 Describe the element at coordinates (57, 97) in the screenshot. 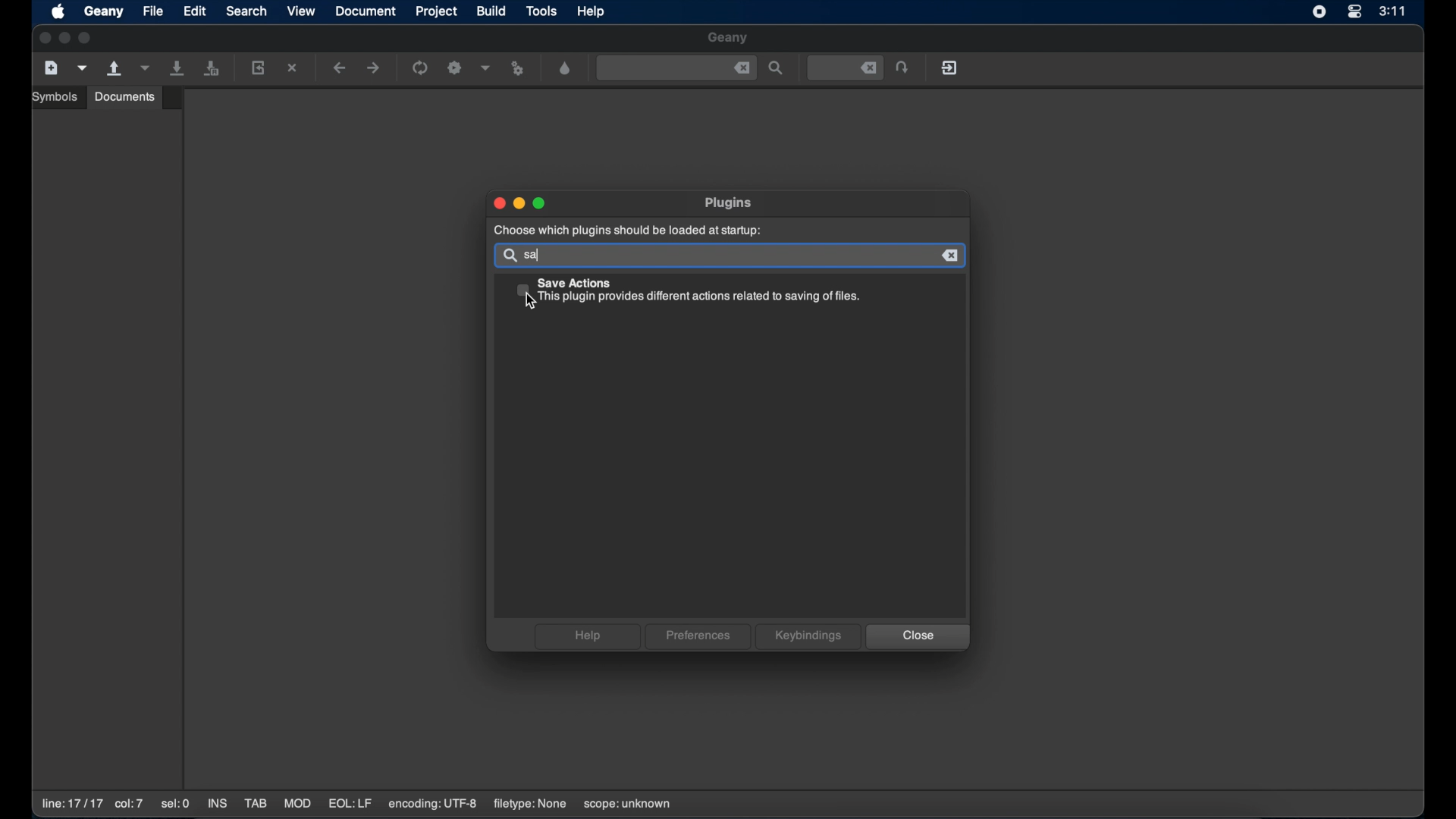

I see `symbols` at that location.